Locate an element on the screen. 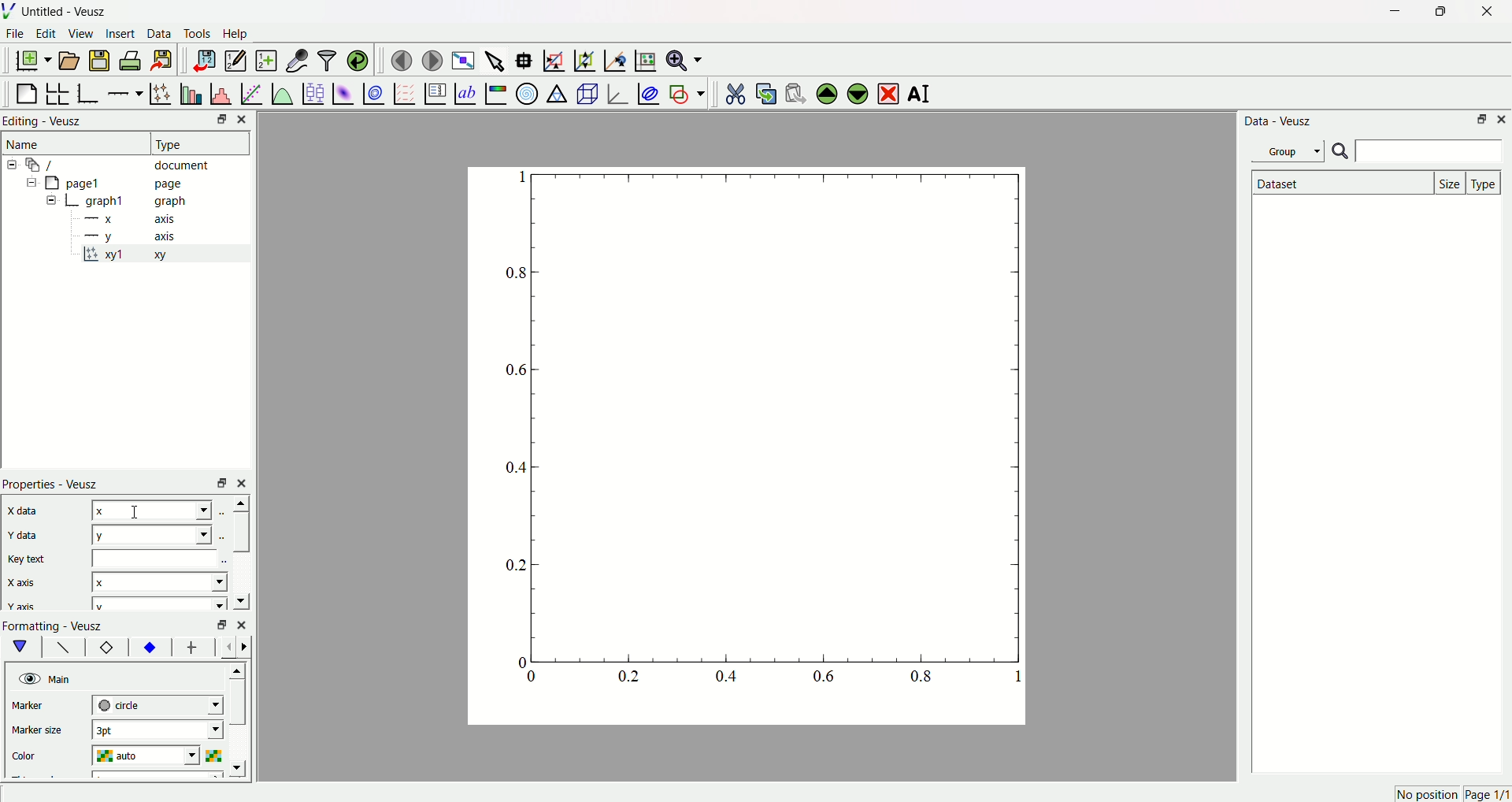 This screenshot has width=1512, height=802. Data is located at coordinates (160, 35).